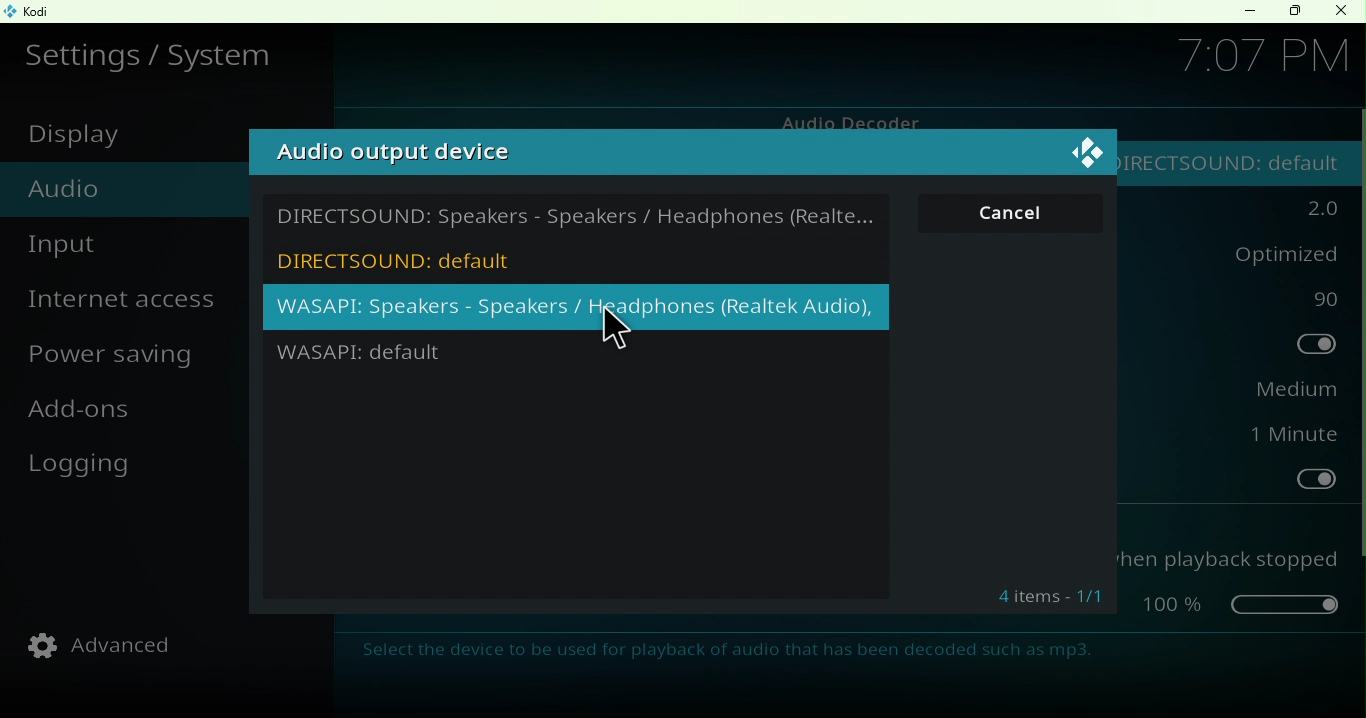 The image size is (1366, 718). What do you see at coordinates (1340, 11) in the screenshot?
I see `Close` at bounding box center [1340, 11].